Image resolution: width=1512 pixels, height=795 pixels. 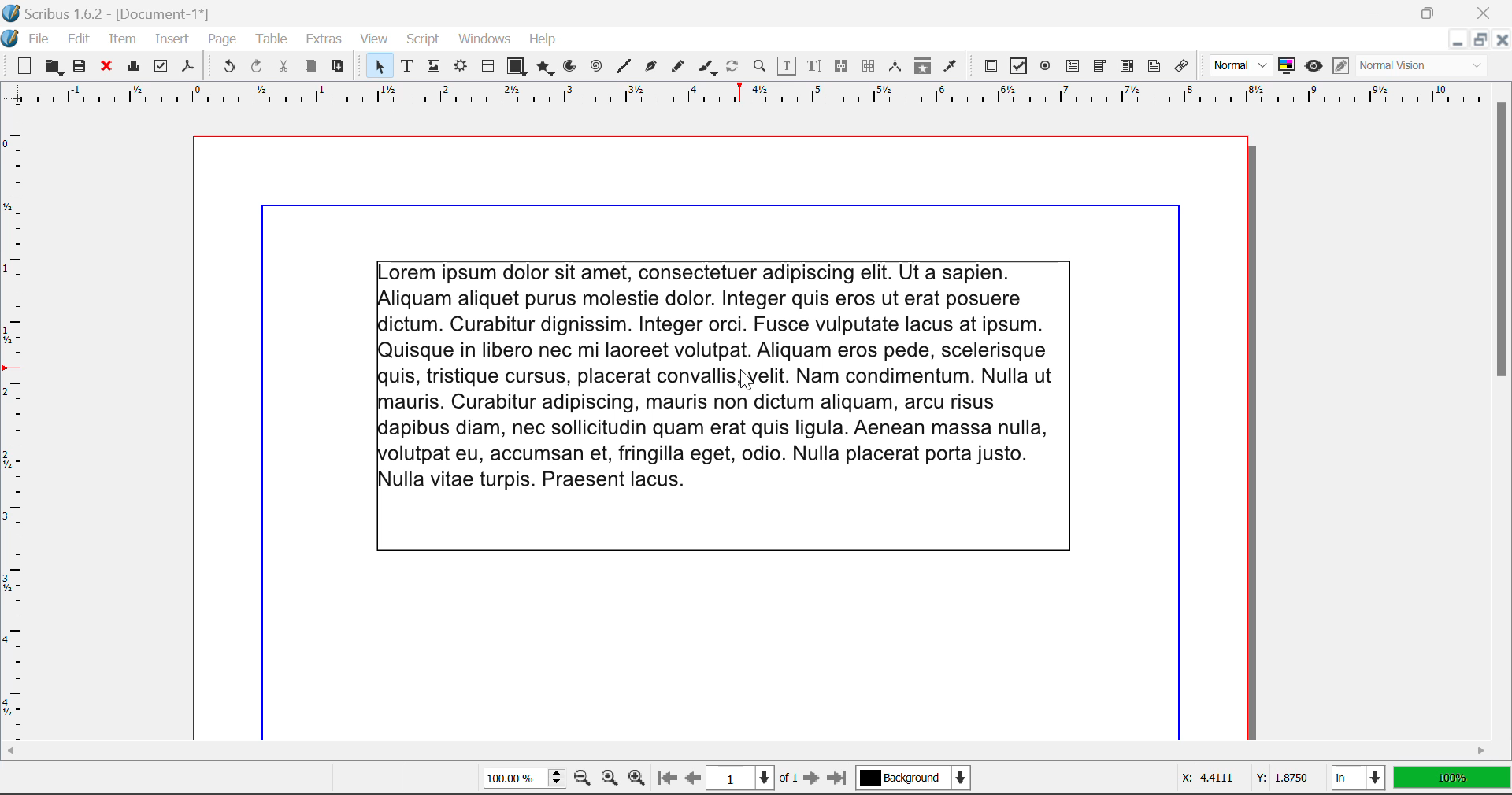 I want to click on Open, so click(x=56, y=68).